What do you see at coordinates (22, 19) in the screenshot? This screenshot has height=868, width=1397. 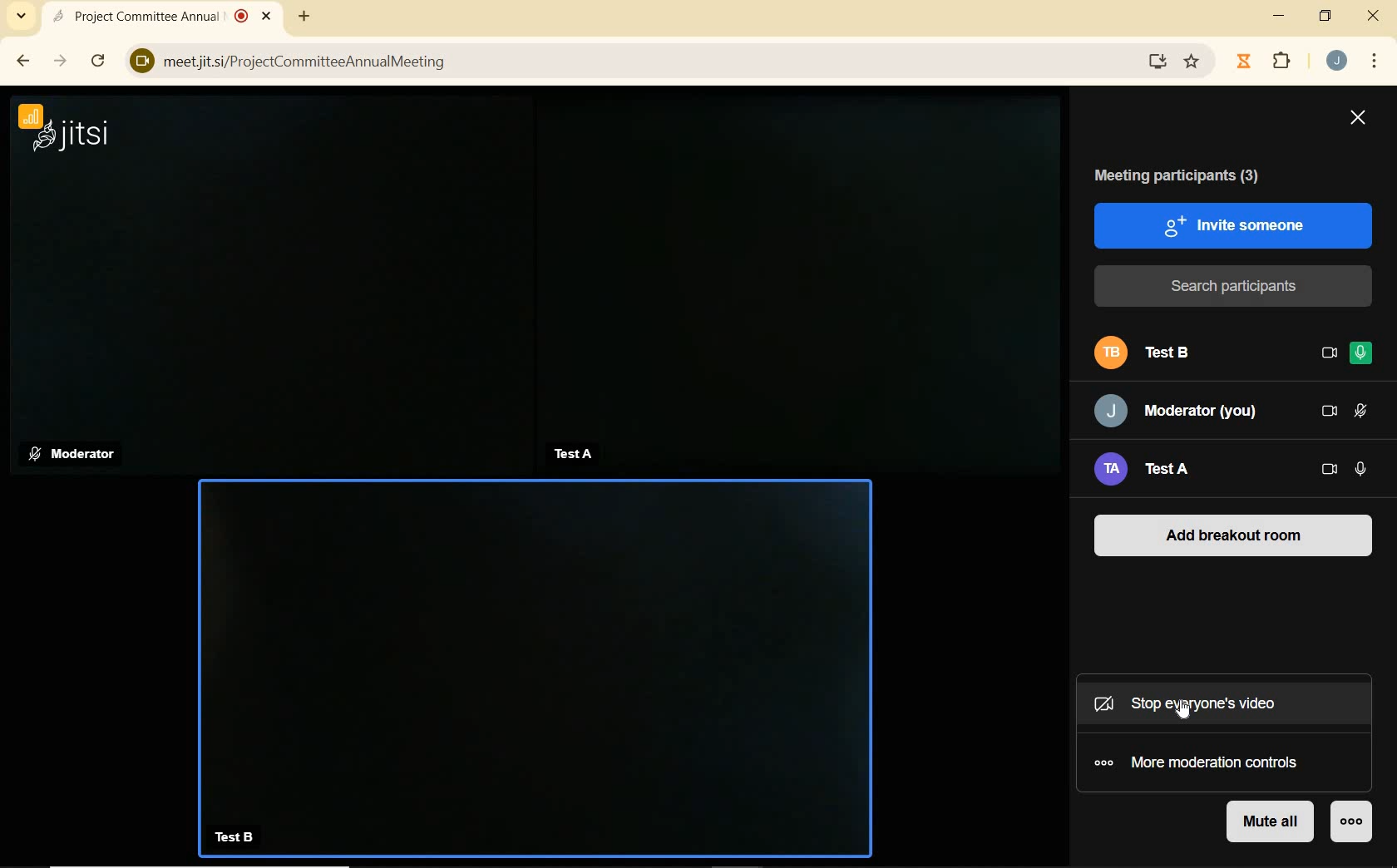 I see `SEARCH TABS` at bounding box center [22, 19].